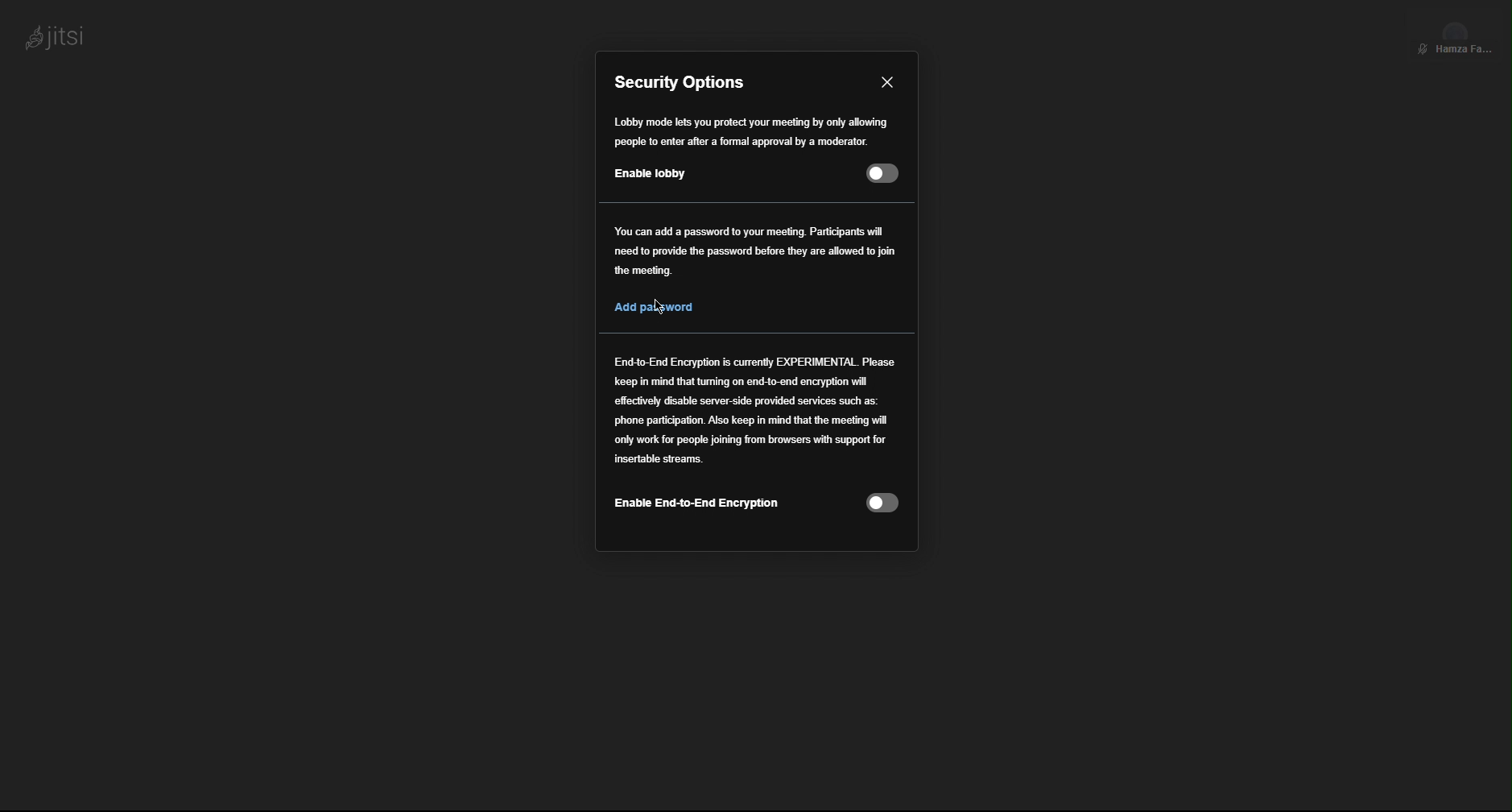 The height and width of the screenshot is (812, 1512). I want to click on Lobby mode lets you protect your meeting by only allowing people to only enter after approval from a moderator, so click(752, 132).